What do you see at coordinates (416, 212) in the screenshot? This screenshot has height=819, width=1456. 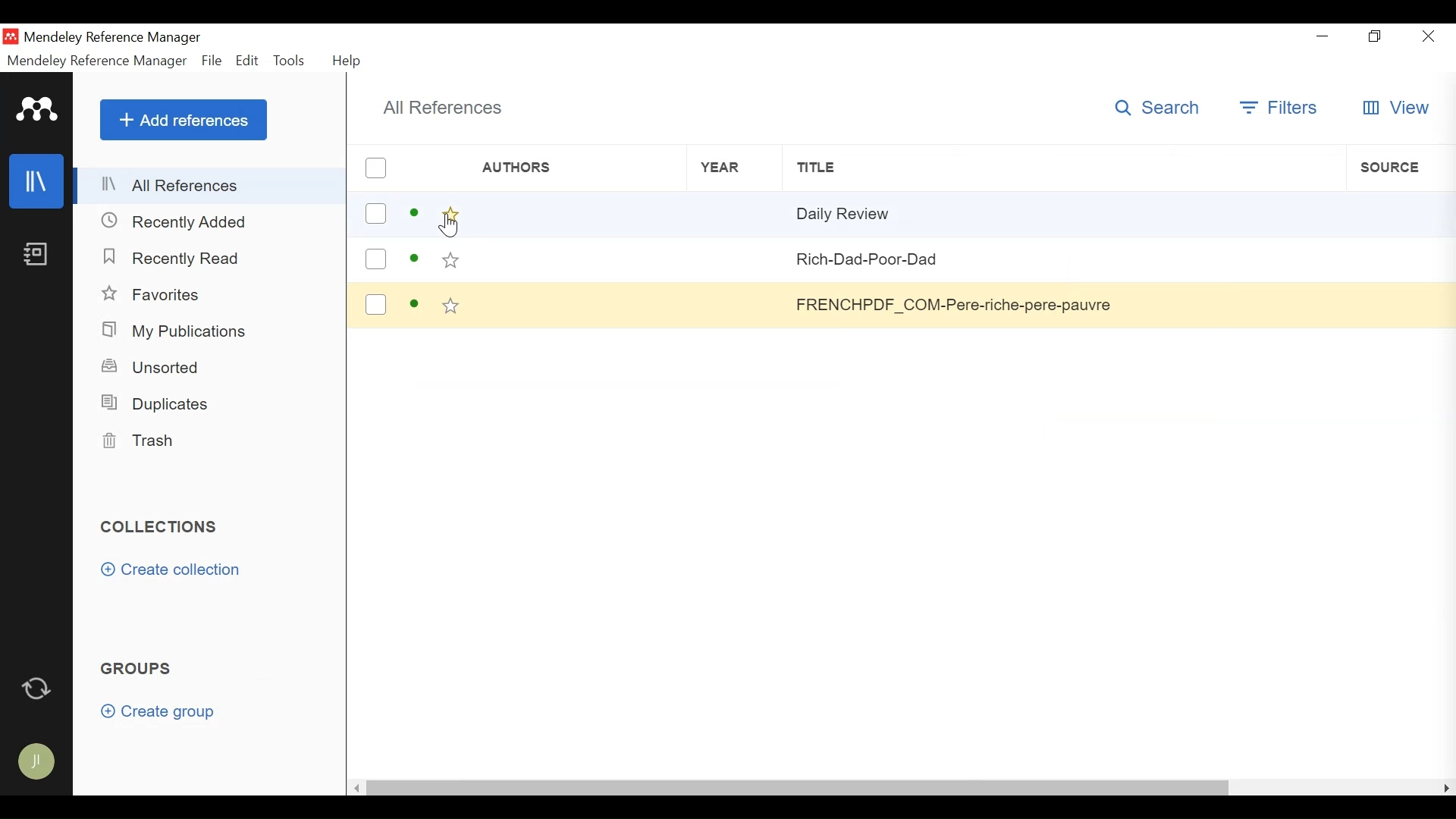 I see `Unread` at bounding box center [416, 212].